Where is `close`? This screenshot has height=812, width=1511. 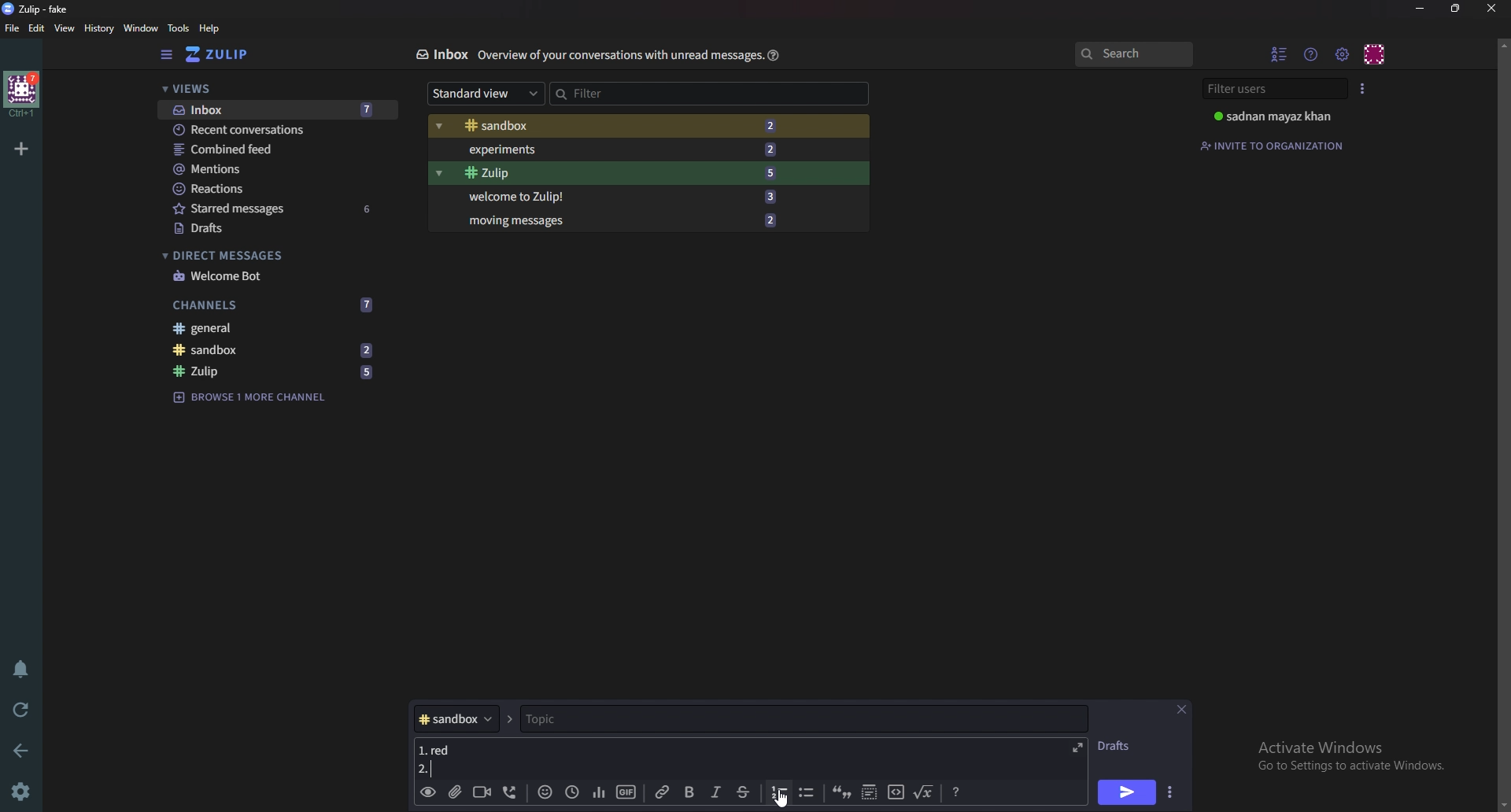
close is located at coordinates (1491, 8).